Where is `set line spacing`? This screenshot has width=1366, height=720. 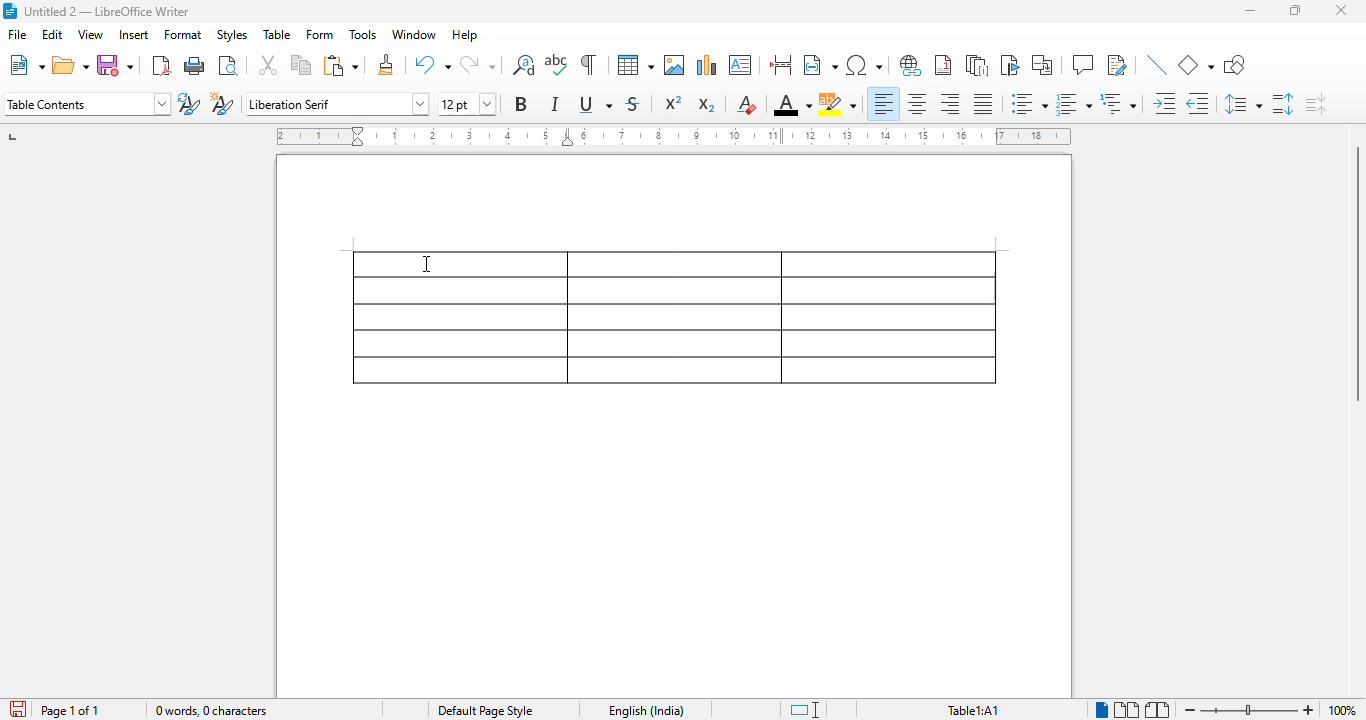
set line spacing is located at coordinates (1243, 103).